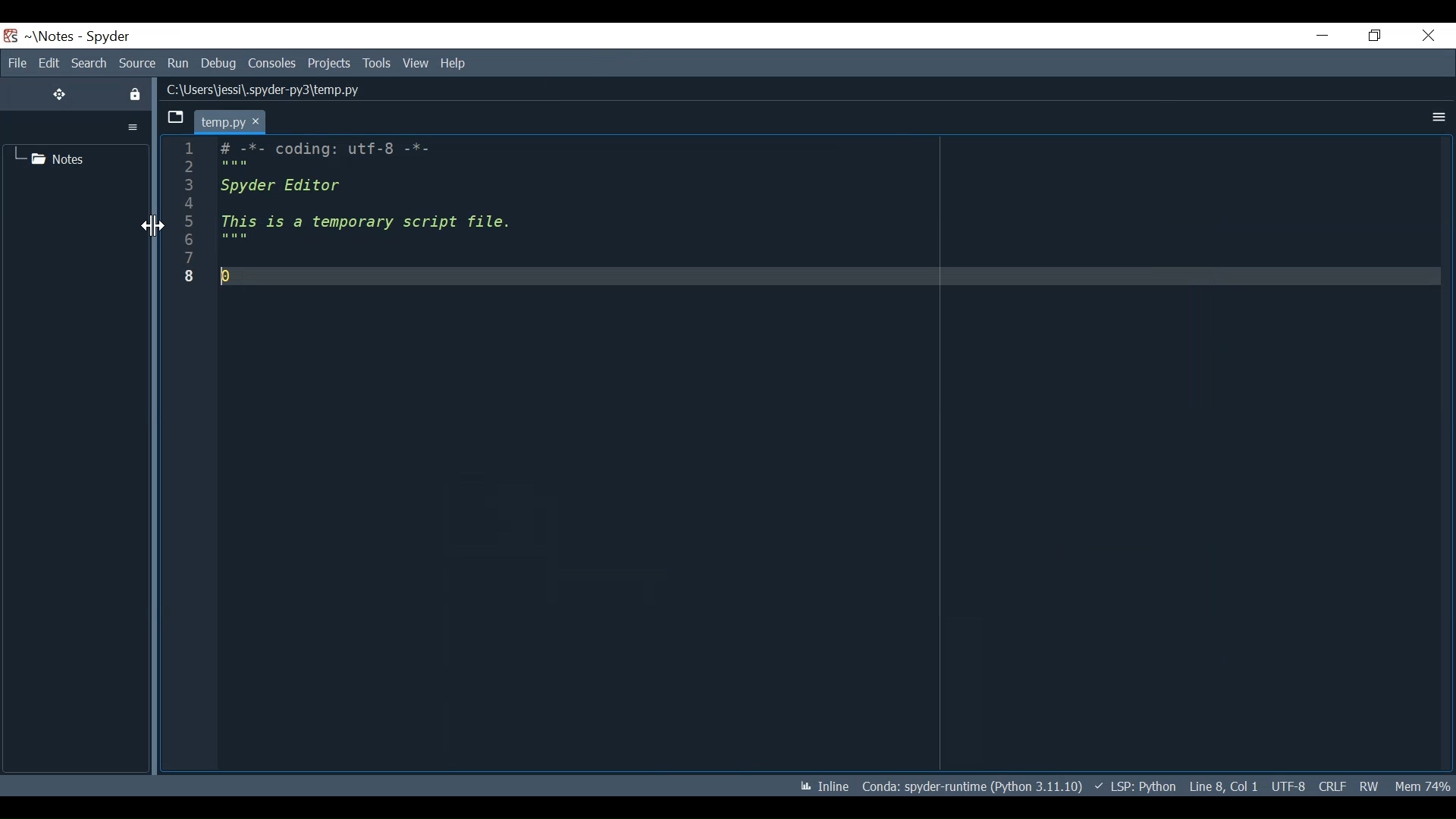 This screenshot has height=819, width=1456. What do you see at coordinates (262, 89) in the screenshot?
I see `C:\Users\jessi\.spyder-py3\temp.py` at bounding box center [262, 89].